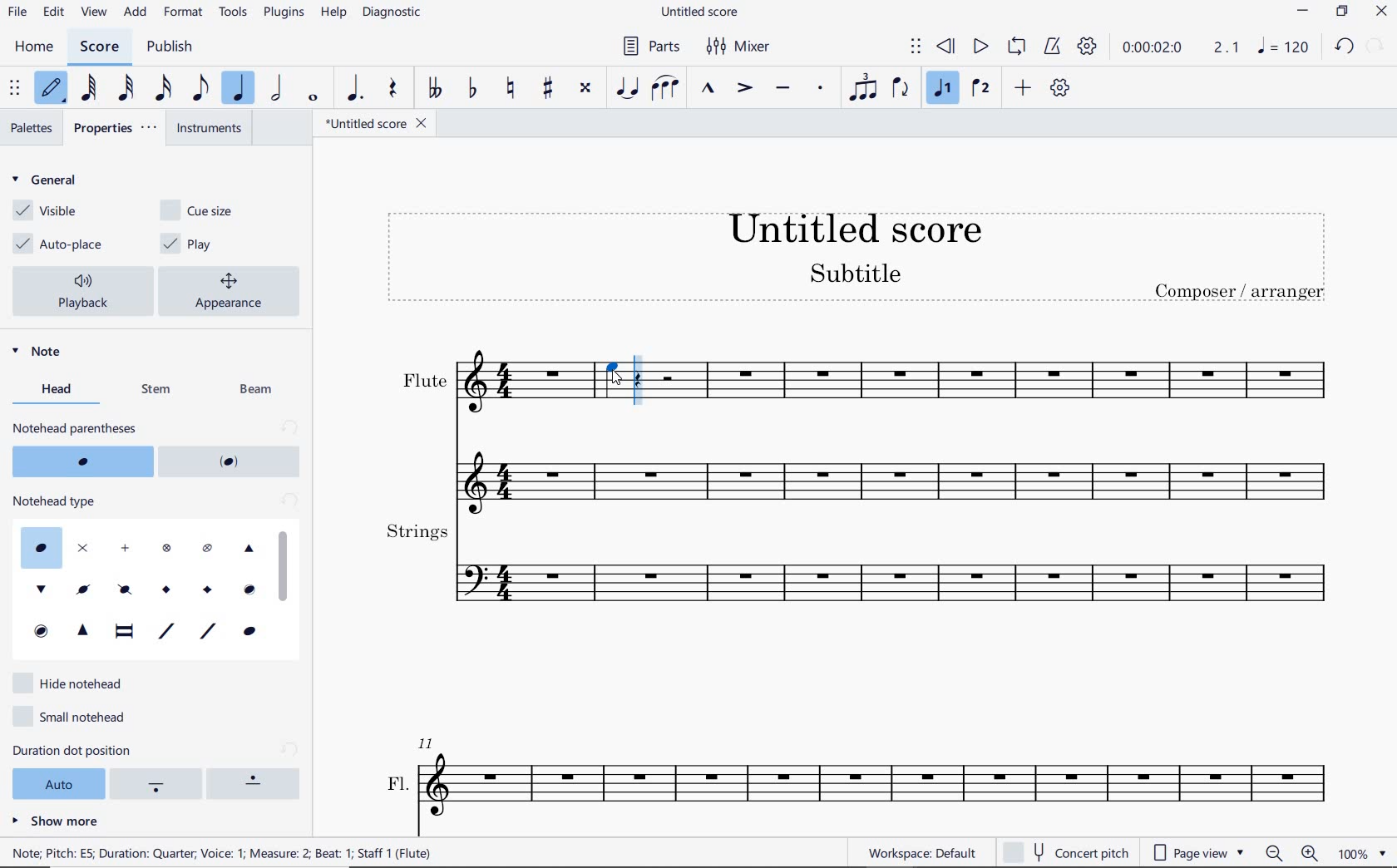  What do you see at coordinates (856, 468) in the screenshot?
I see `flute` at bounding box center [856, 468].